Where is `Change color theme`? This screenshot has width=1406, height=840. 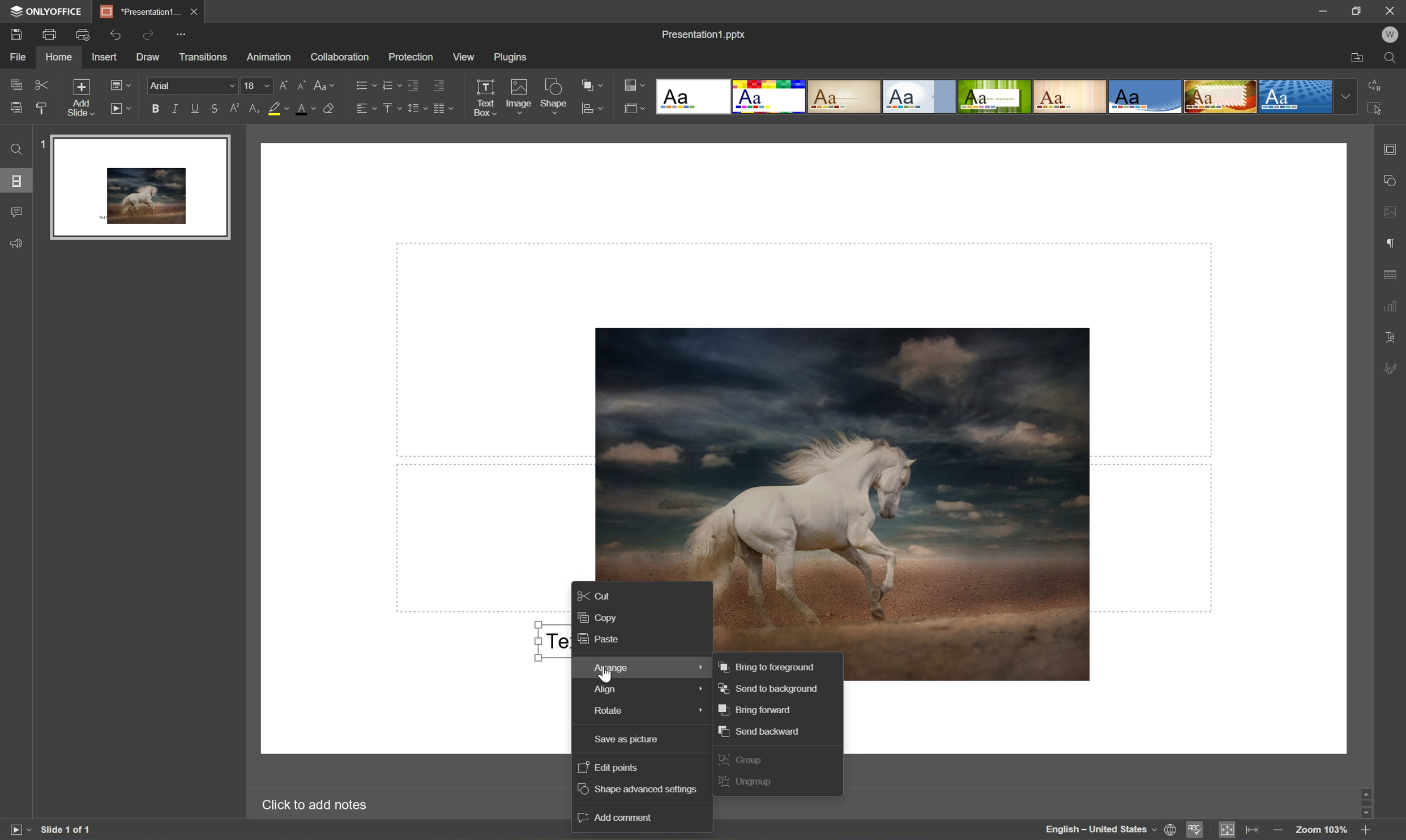
Change color theme is located at coordinates (635, 85).